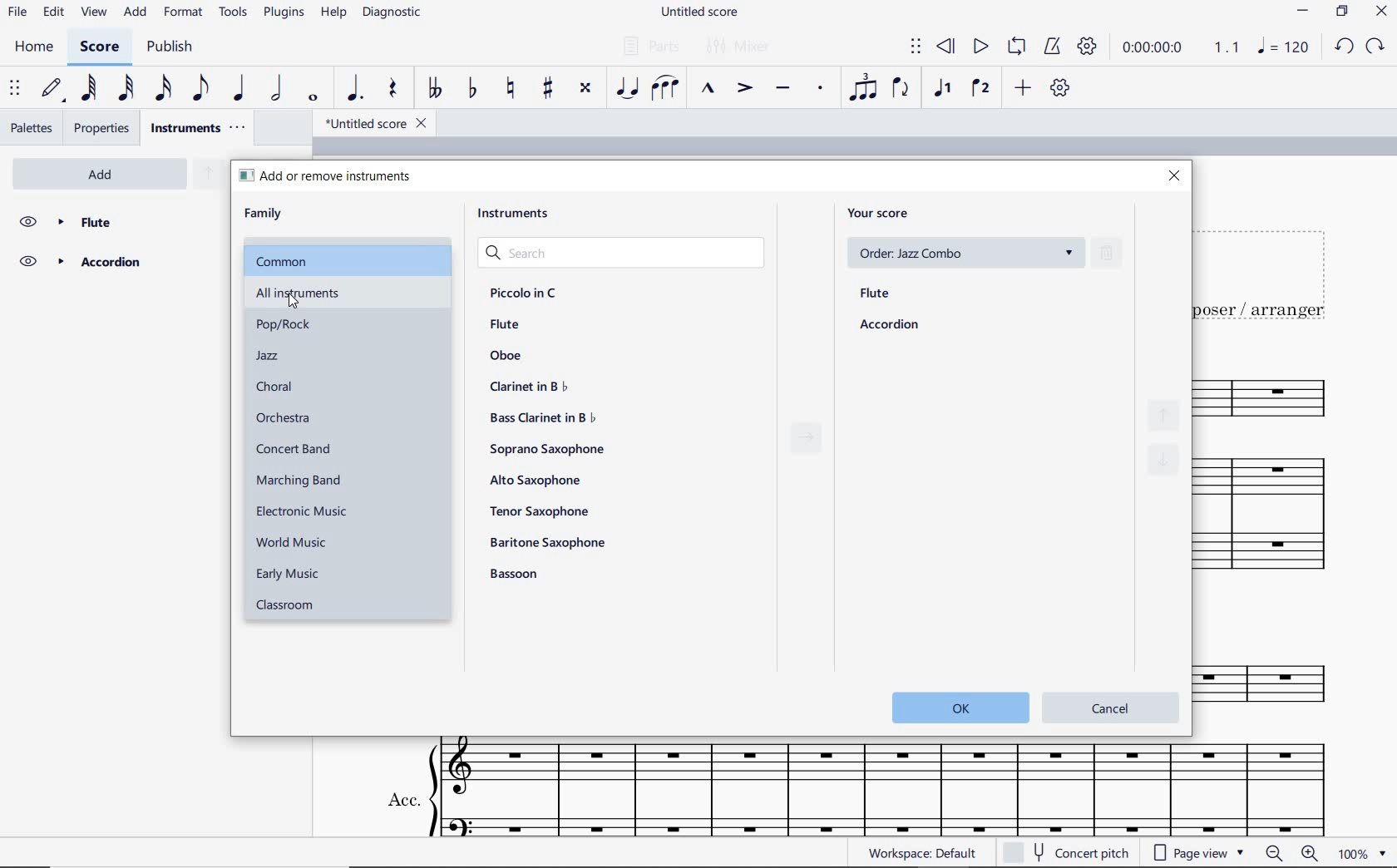 The image size is (1397, 868). Describe the element at coordinates (1176, 175) in the screenshot. I see `close` at that location.